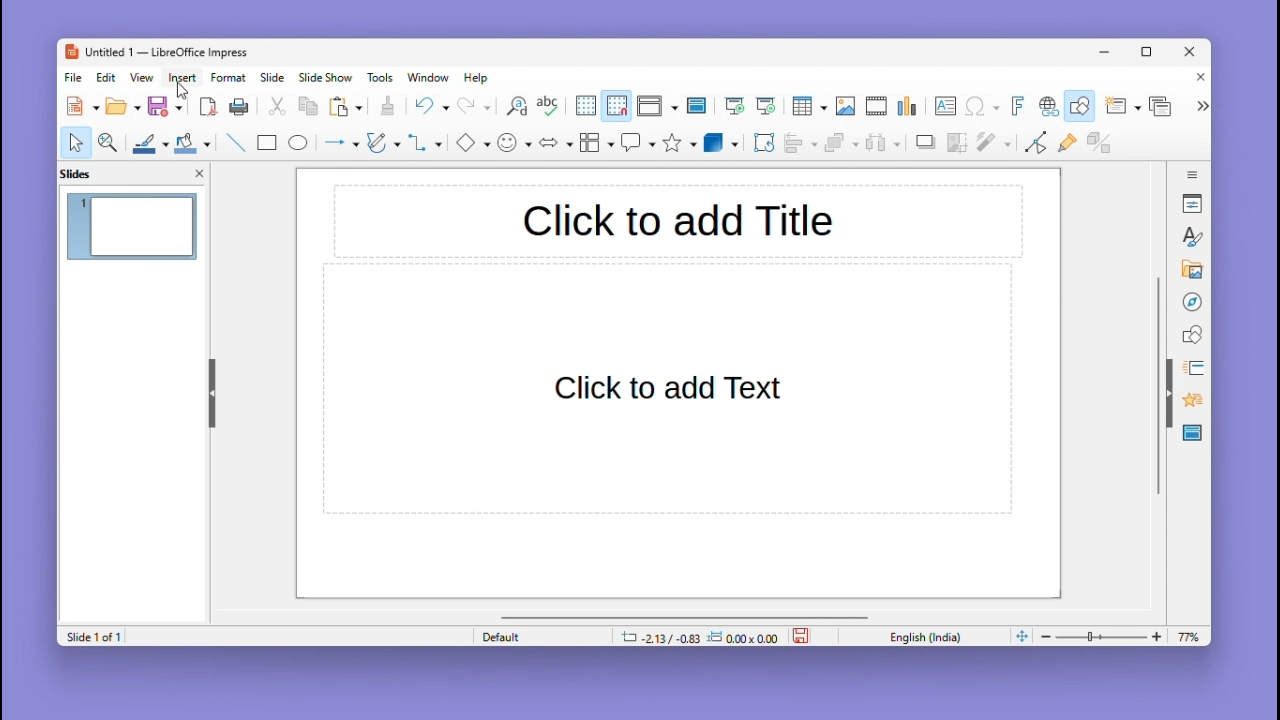 This screenshot has height=720, width=1280. Describe the element at coordinates (475, 107) in the screenshot. I see `redo` at that location.